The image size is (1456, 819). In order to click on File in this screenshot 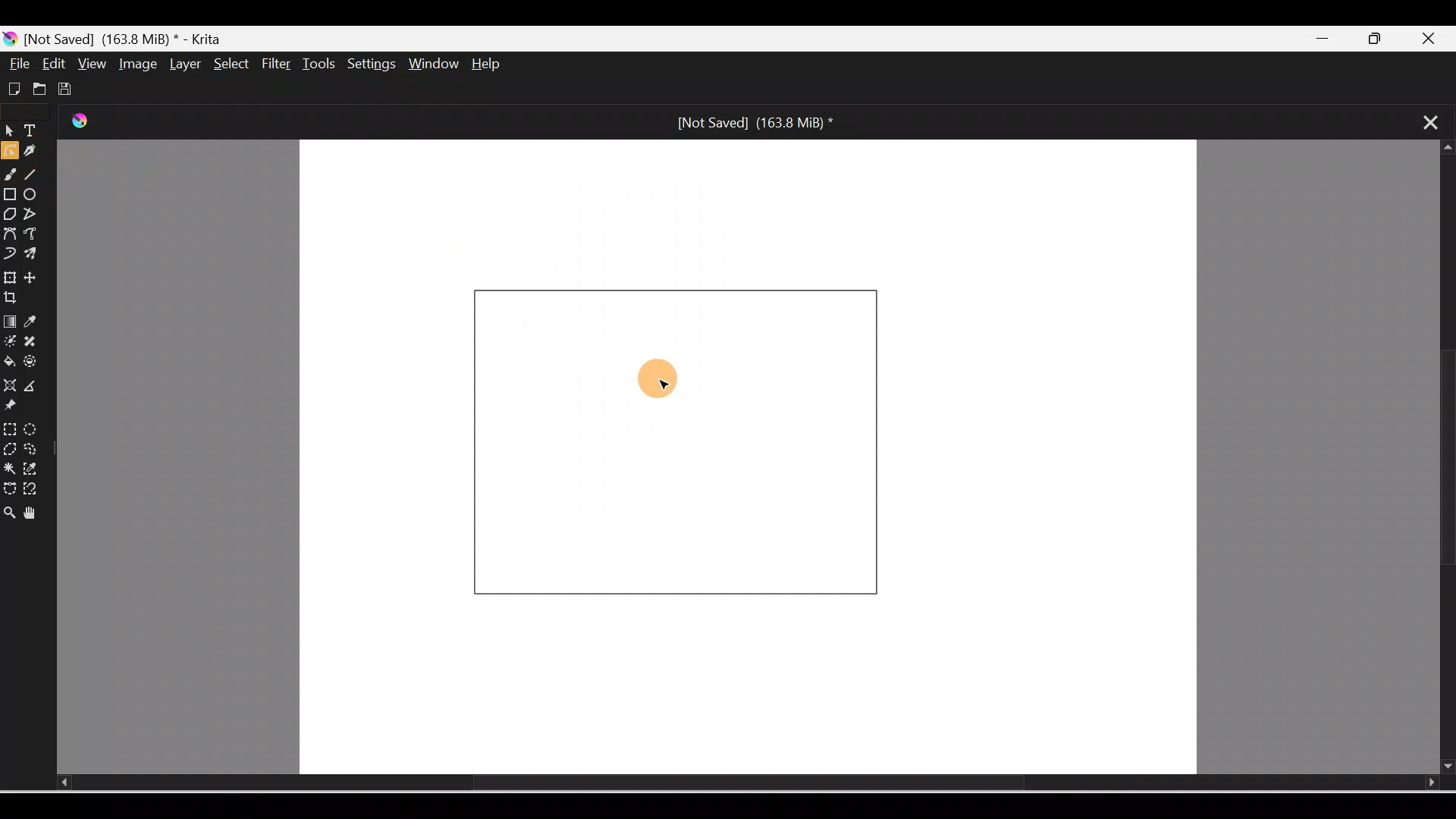, I will do `click(20, 64)`.